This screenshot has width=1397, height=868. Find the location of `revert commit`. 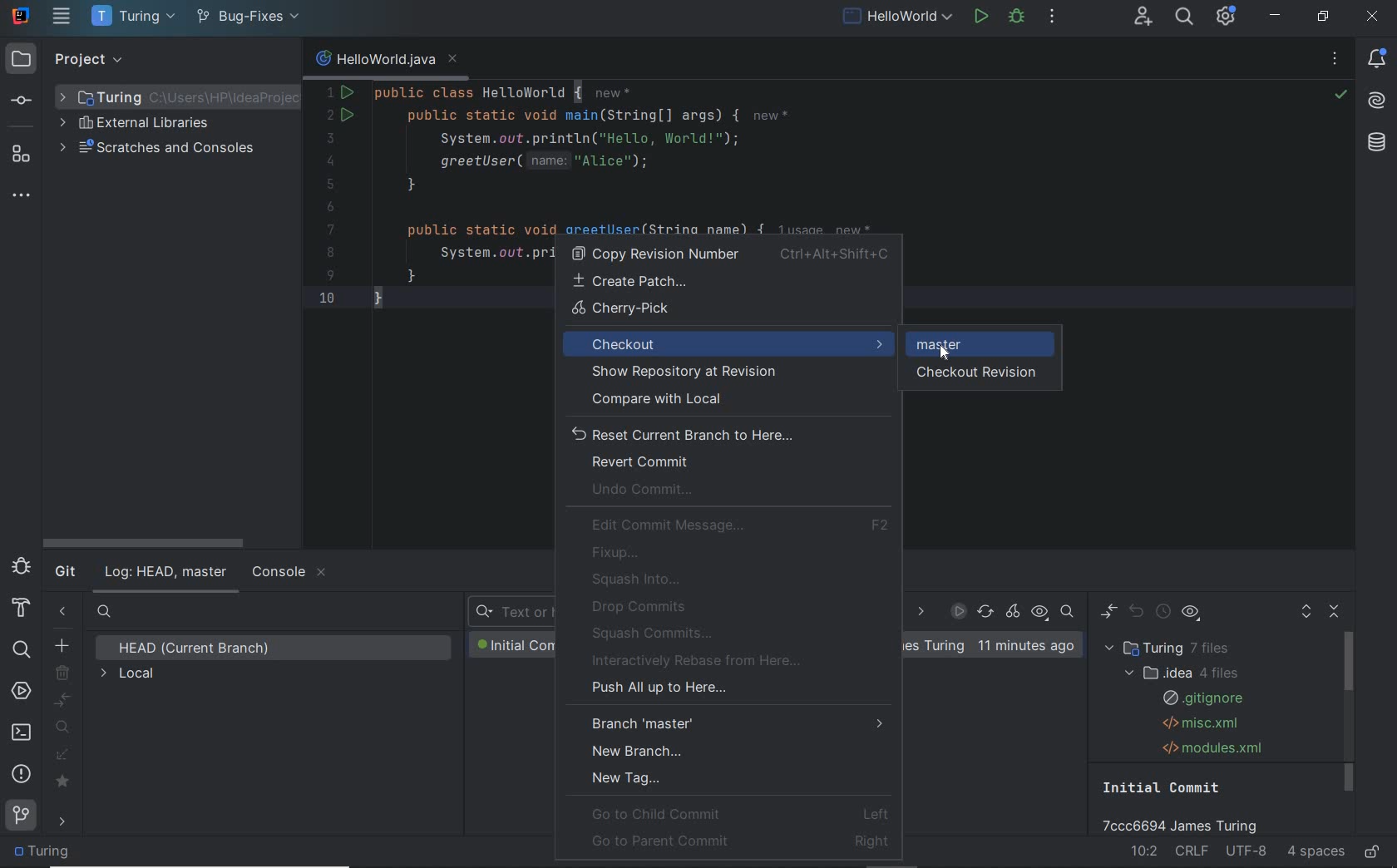

revert commit is located at coordinates (639, 462).